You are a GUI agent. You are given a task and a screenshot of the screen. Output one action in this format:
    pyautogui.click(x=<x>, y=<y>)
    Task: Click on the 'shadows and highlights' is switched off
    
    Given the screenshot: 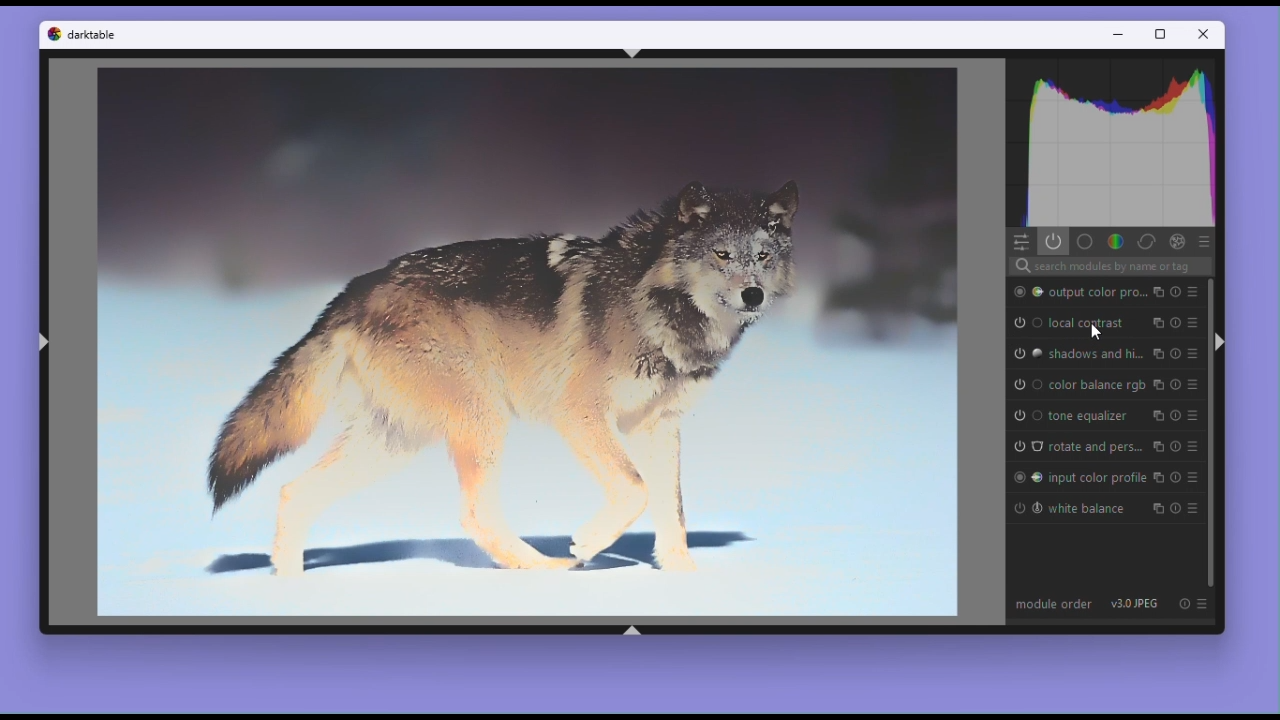 What is the action you would take?
    pyautogui.click(x=1028, y=354)
    